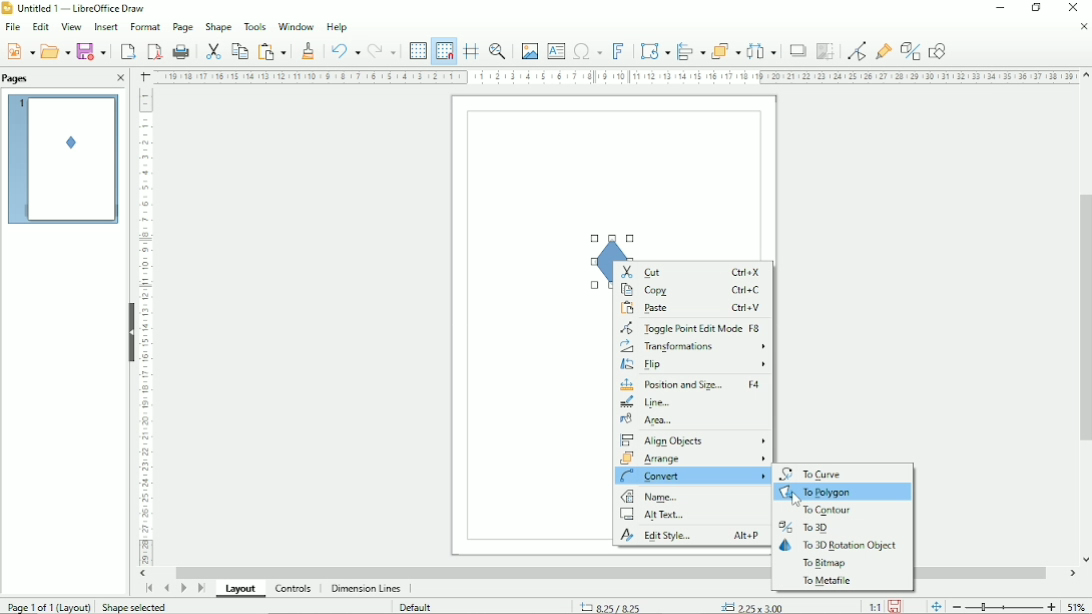 The image size is (1092, 614). Describe the element at coordinates (692, 309) in the screenshot. I see `Paste` at that location.